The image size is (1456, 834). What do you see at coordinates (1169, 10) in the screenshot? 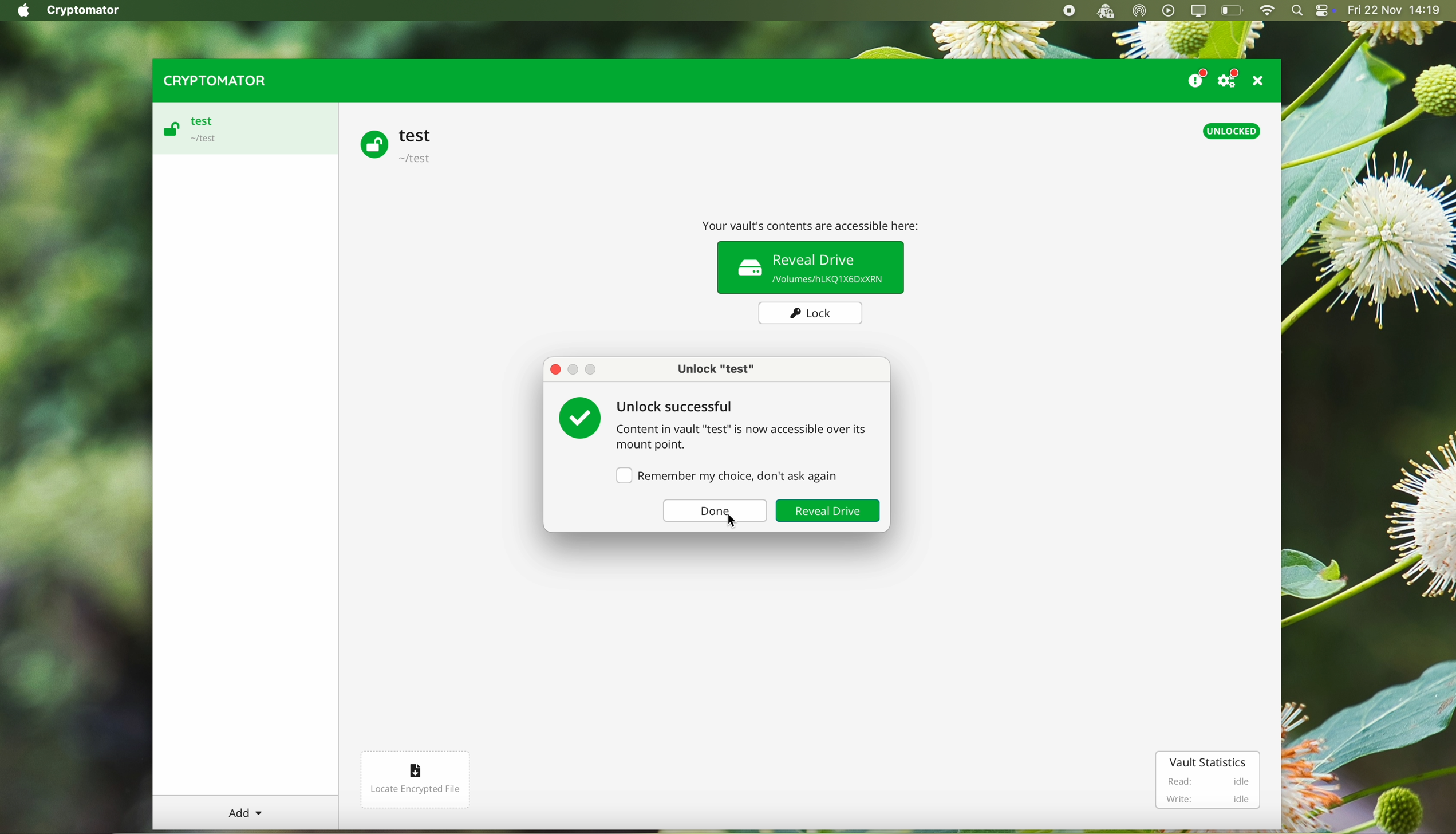
I see `play` at bounding box center [1169, 10].